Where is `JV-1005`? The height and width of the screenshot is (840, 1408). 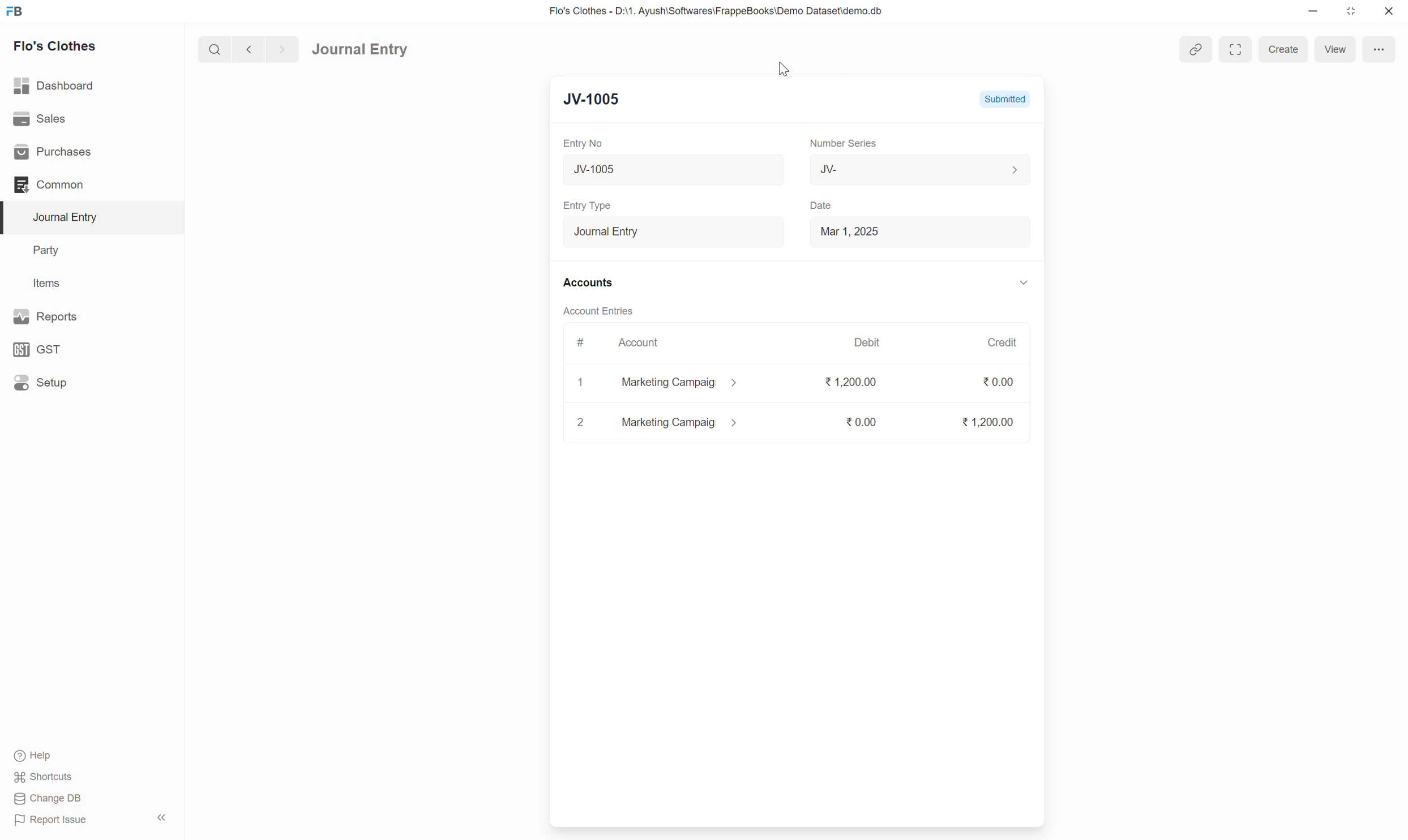
JV-1005 is located at coordinates (646, 170).